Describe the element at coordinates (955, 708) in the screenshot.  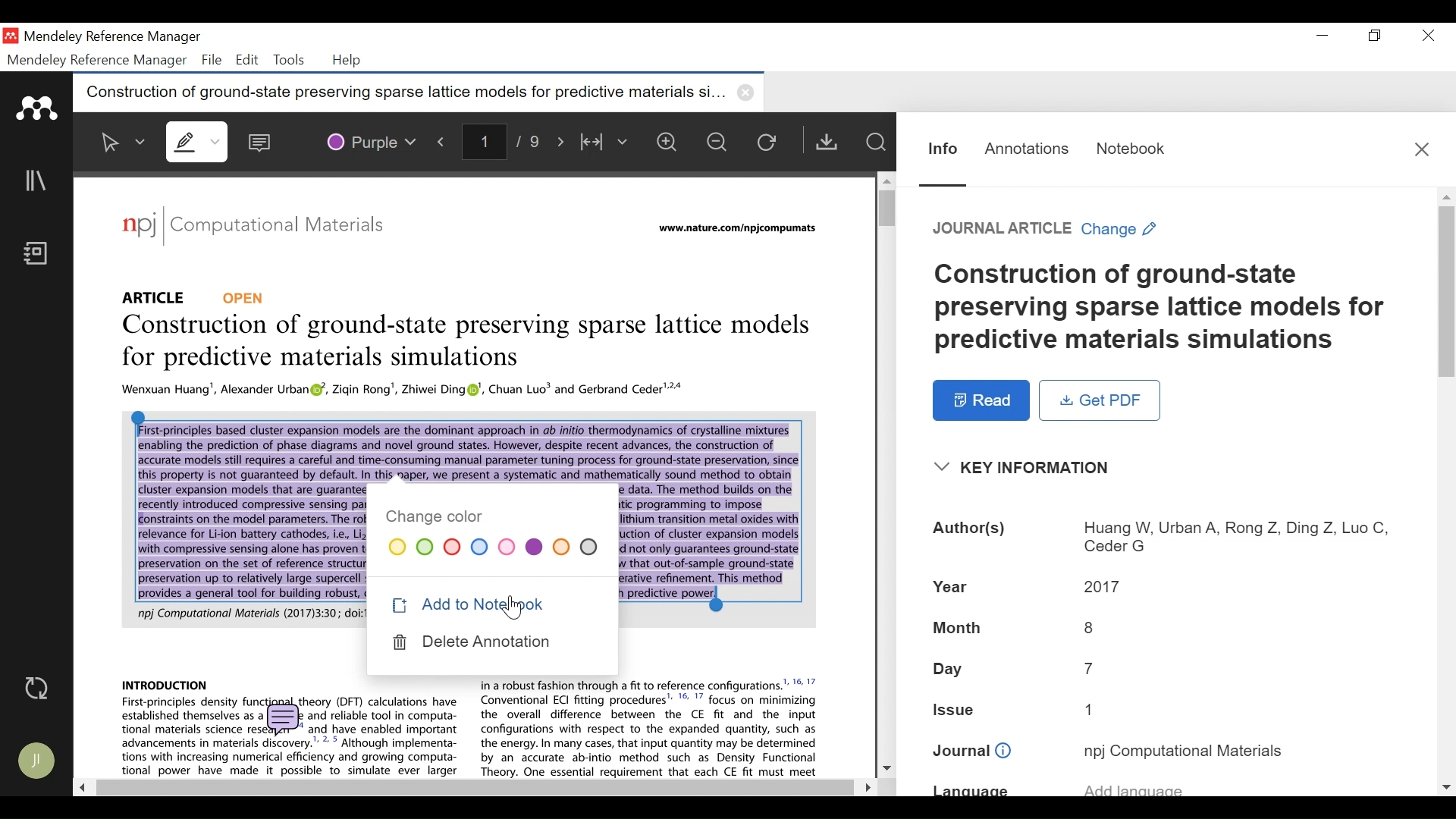
I see `Issue` at that location.